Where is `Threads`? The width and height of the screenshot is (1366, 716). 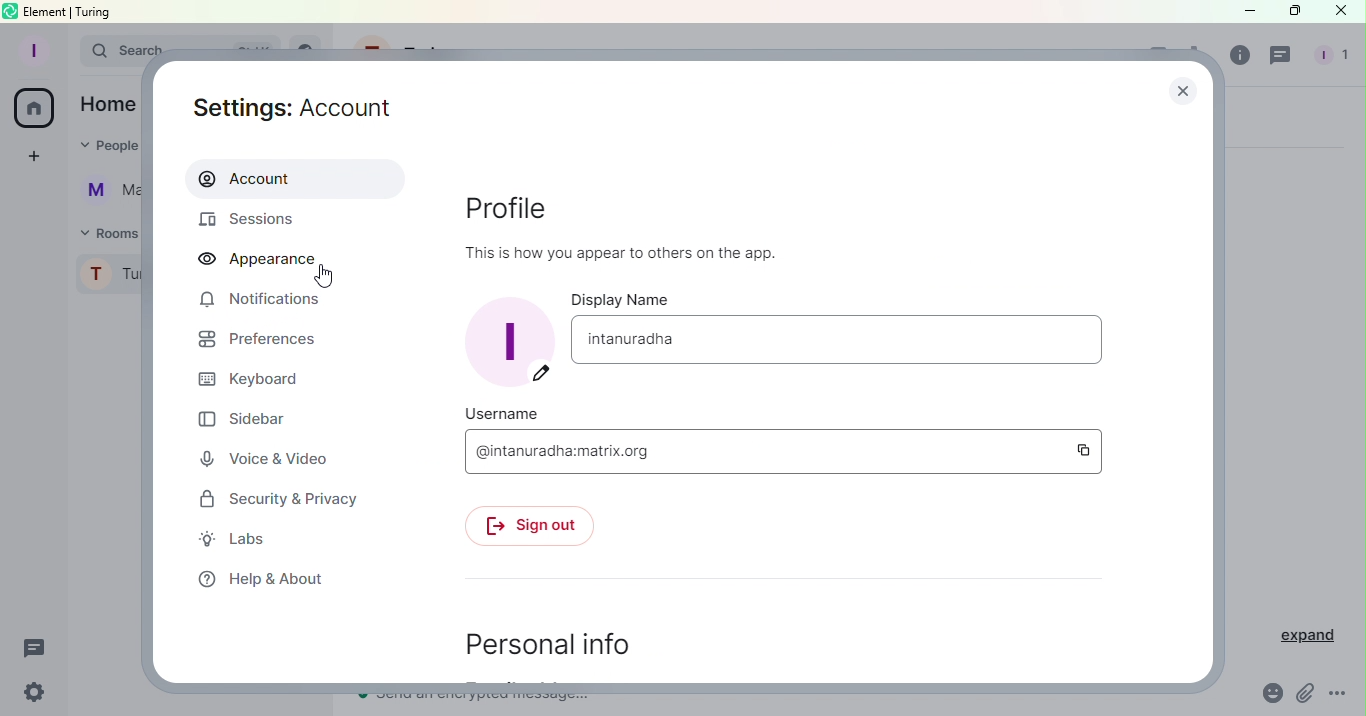 Threads is located at coordinates (1278, 58).